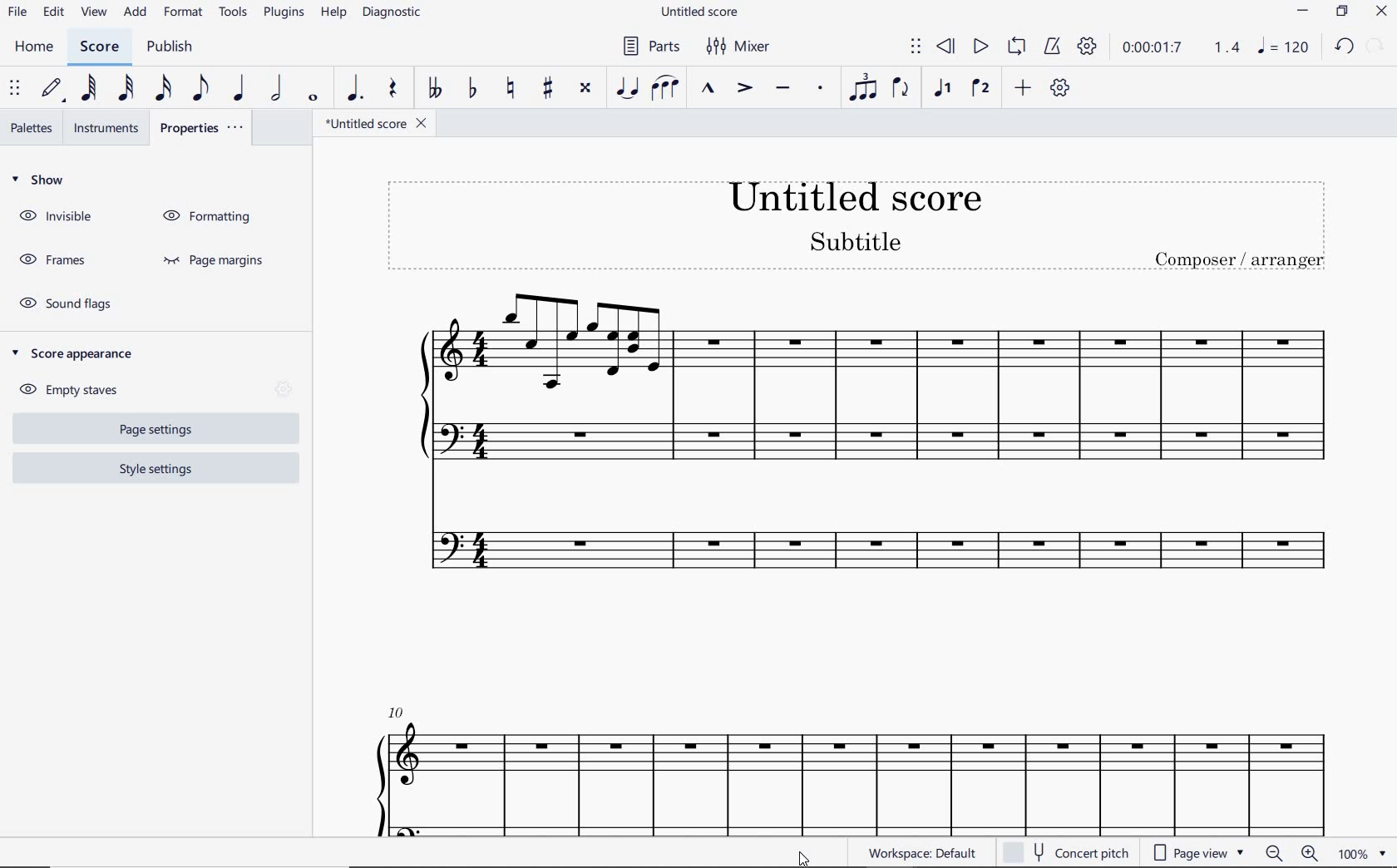  Describe the element at coordinates (163, 89) in the screenshot. I see `16TH NOTE` at that location.